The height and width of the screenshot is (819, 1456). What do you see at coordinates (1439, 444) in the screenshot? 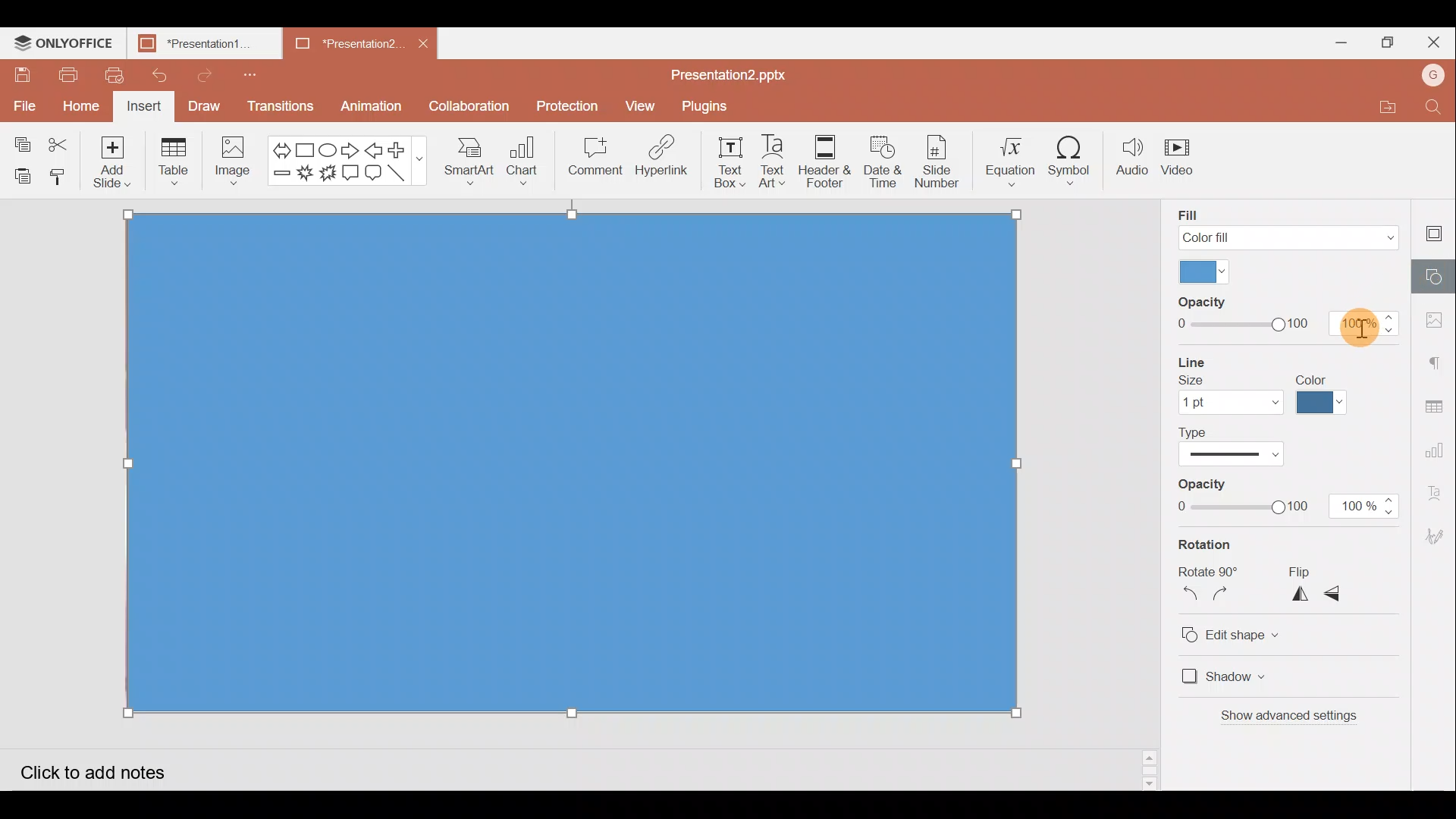
I see `Chart settings` at bounding box center [1439, 444].